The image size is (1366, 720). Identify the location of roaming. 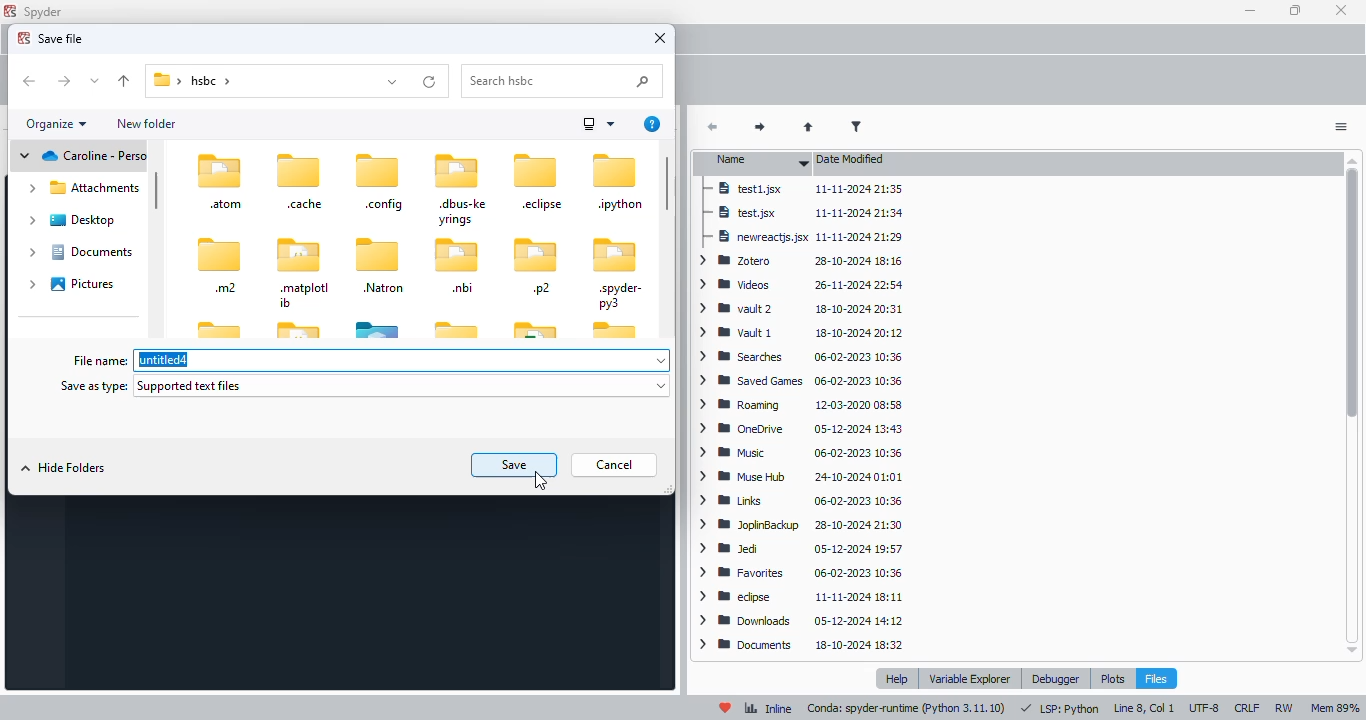
(744, 405).